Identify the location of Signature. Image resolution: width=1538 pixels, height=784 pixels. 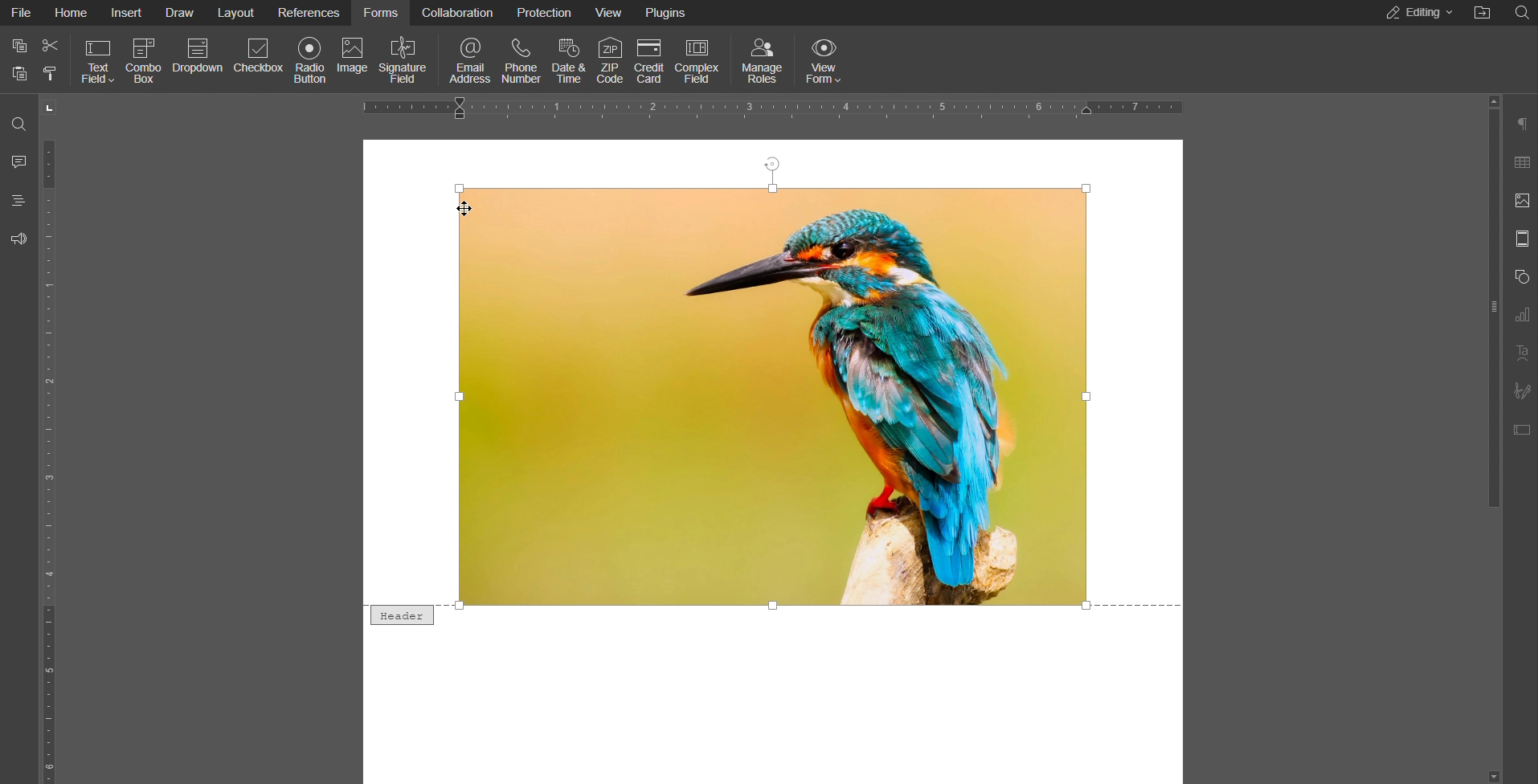
(405, 59).